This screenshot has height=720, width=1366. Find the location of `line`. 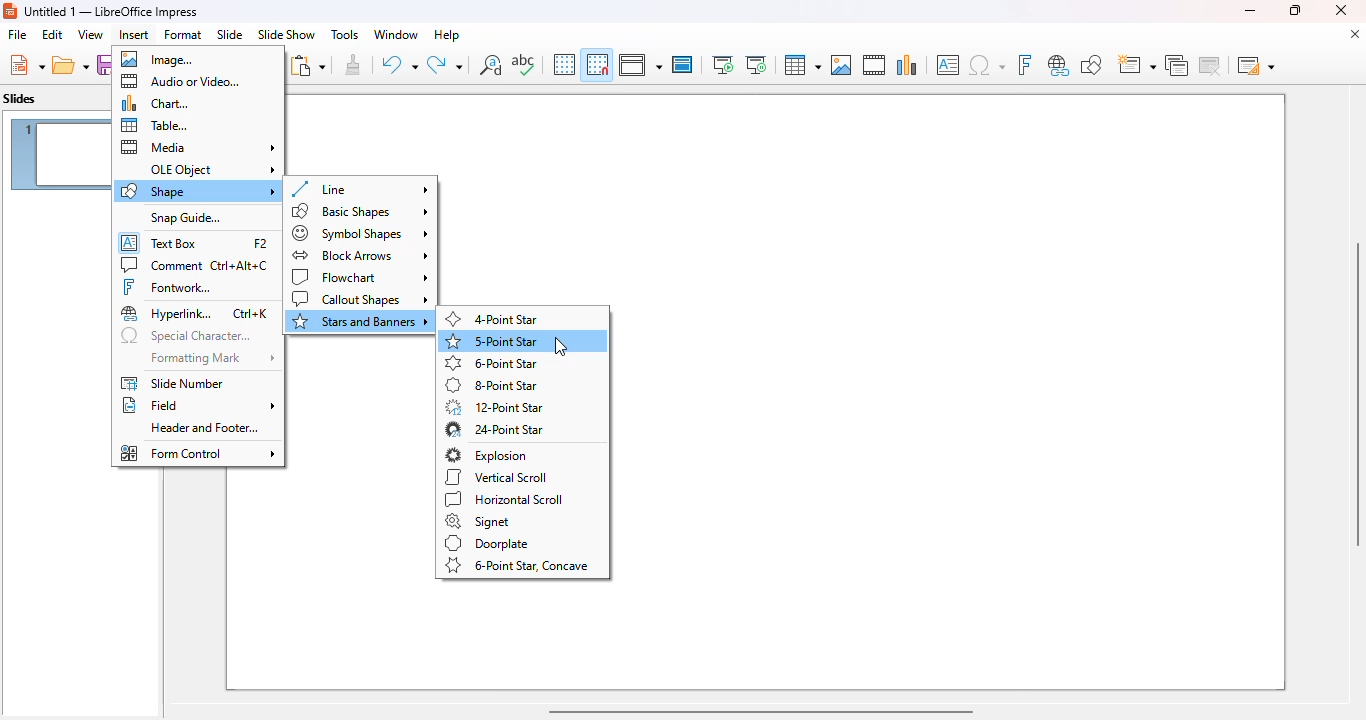

line is located at coordinates (359, 189).